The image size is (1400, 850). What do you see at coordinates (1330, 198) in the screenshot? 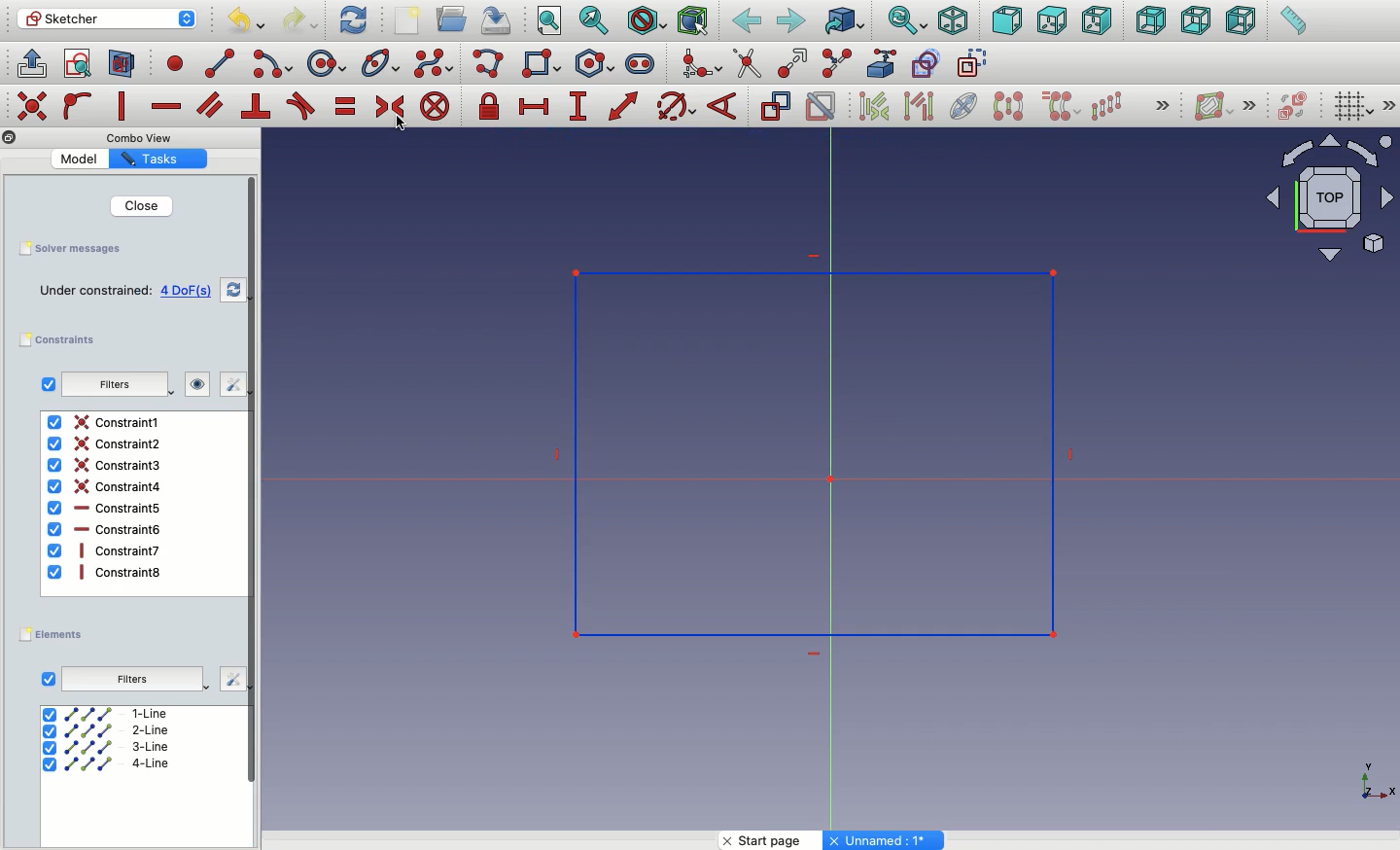
I see `Navigator` at bounding box center [1330, 198].